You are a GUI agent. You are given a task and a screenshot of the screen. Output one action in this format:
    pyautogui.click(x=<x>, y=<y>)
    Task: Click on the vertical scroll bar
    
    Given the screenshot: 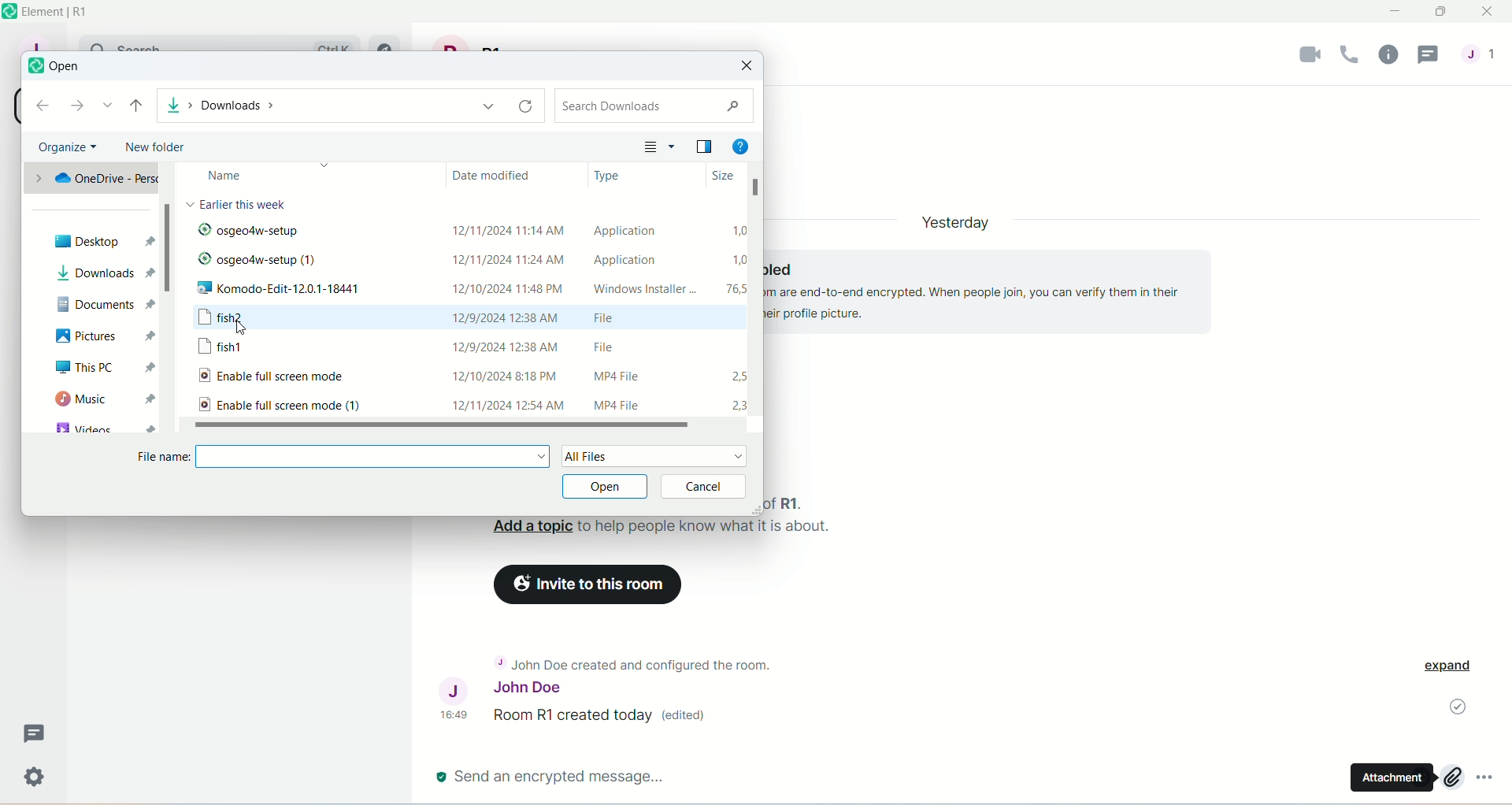 What is the action you would take?
    pyautogui.click(x=171, y=300)
    